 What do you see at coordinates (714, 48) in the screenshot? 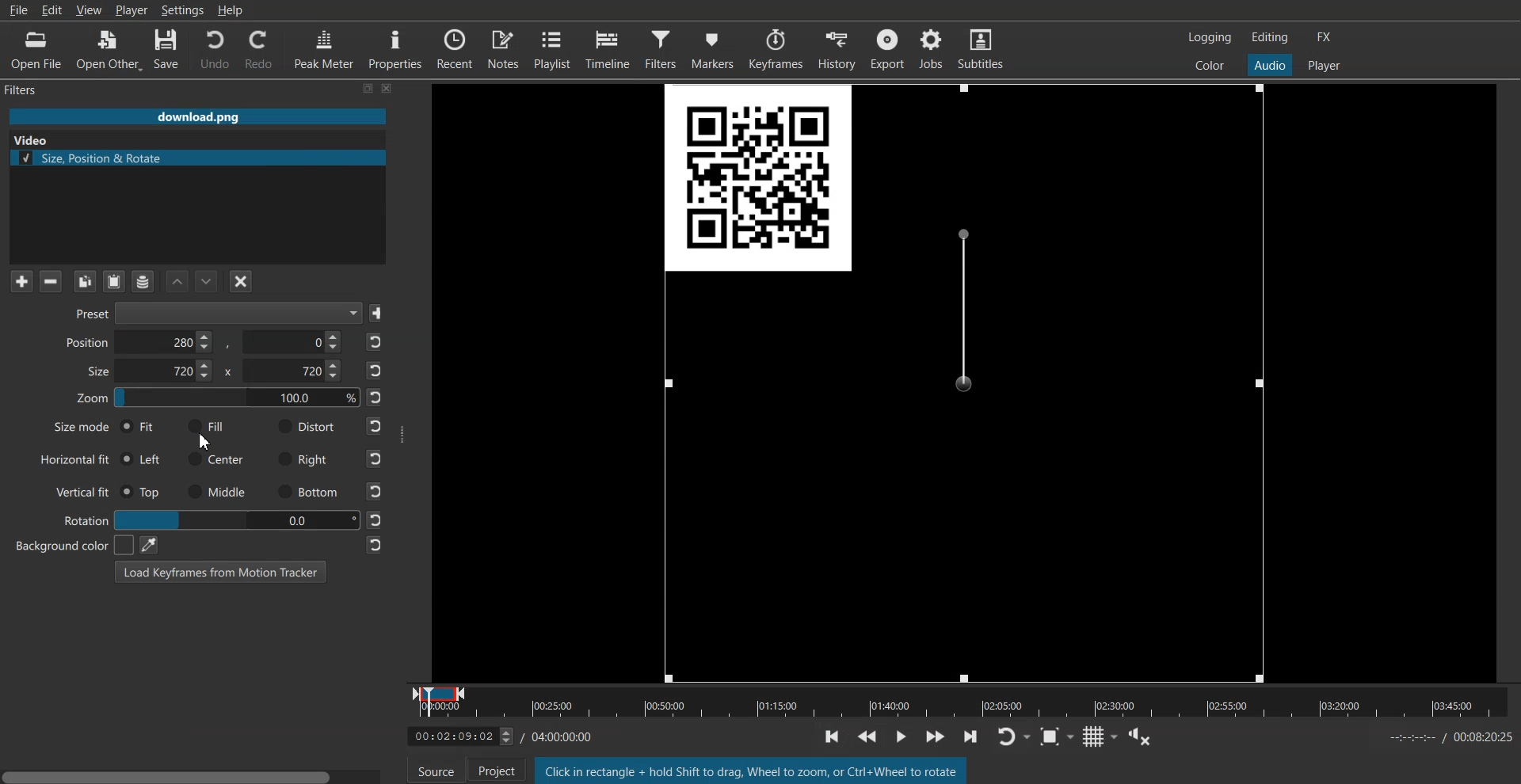
I see `Markers` at bounding box center [714, 48].